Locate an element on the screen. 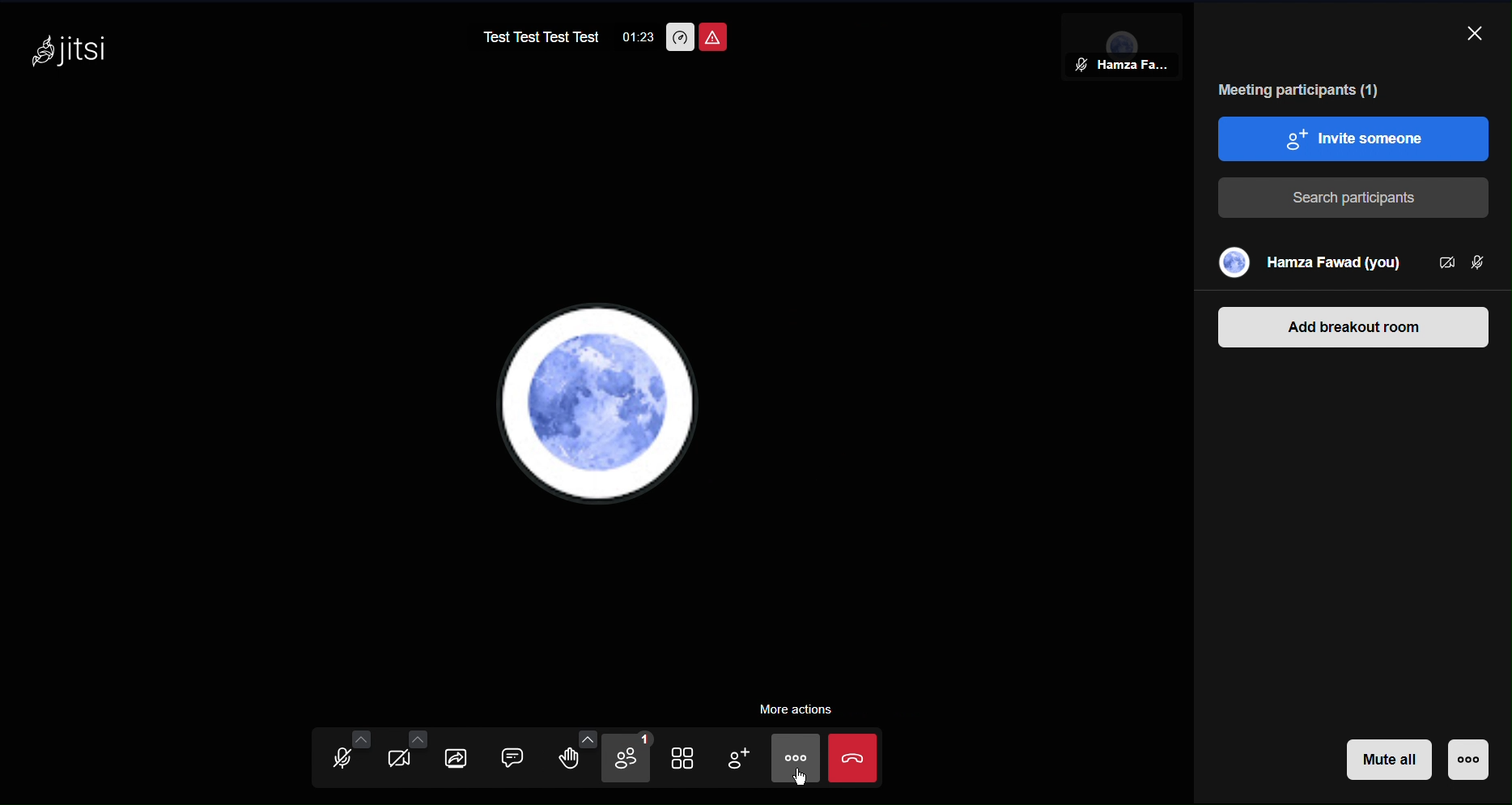 The width and height of the screenshot is (1512, 805). Timer is located at coordinates (635, 36).